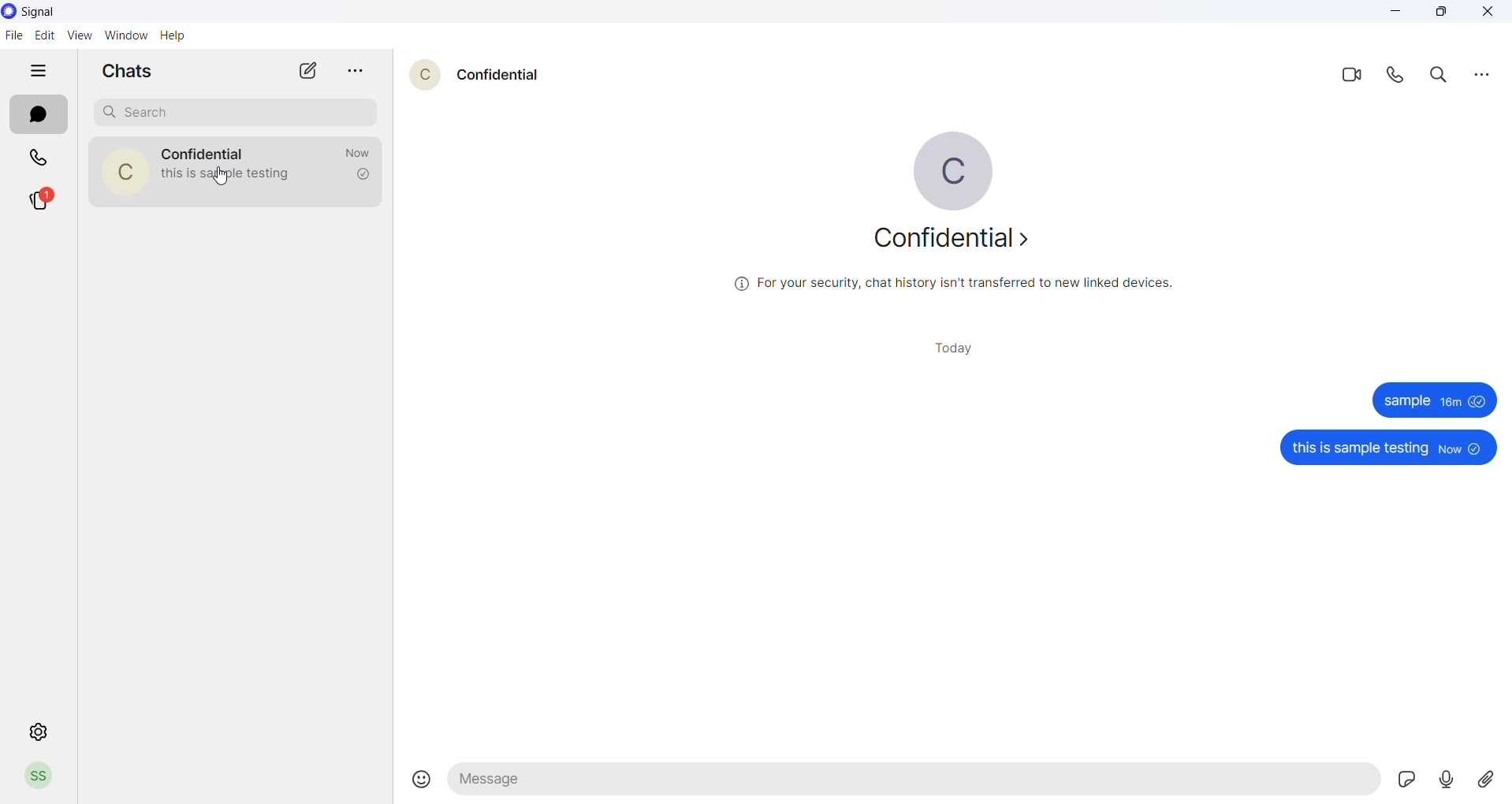 The width and height of the screenshot is (1512, 804). I want to click on cursor, so click(225, 179).